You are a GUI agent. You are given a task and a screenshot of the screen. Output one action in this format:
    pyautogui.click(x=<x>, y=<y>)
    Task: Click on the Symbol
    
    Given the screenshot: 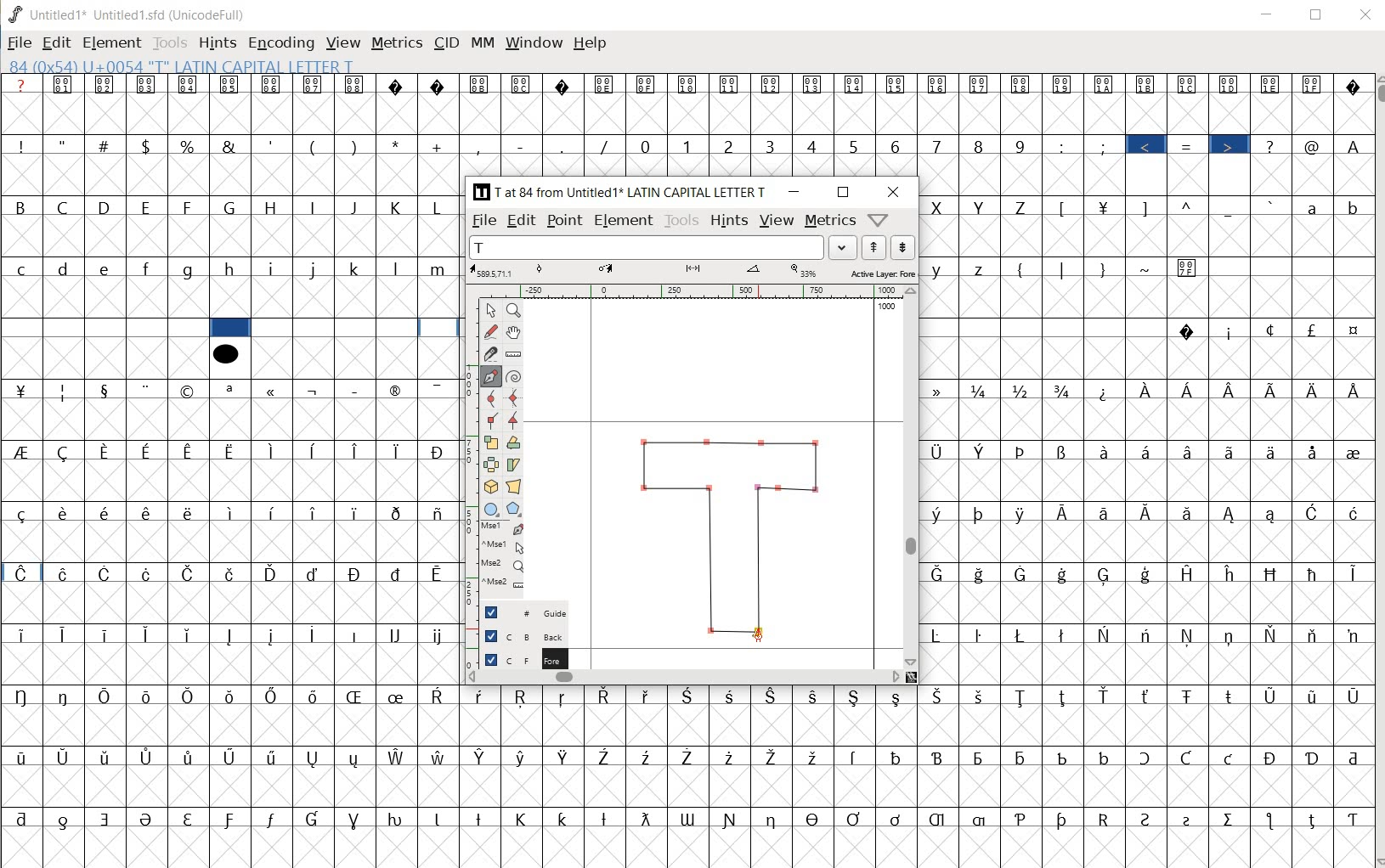 What is the action you would take?
    pyautogui.click(x=771, y=695)
    